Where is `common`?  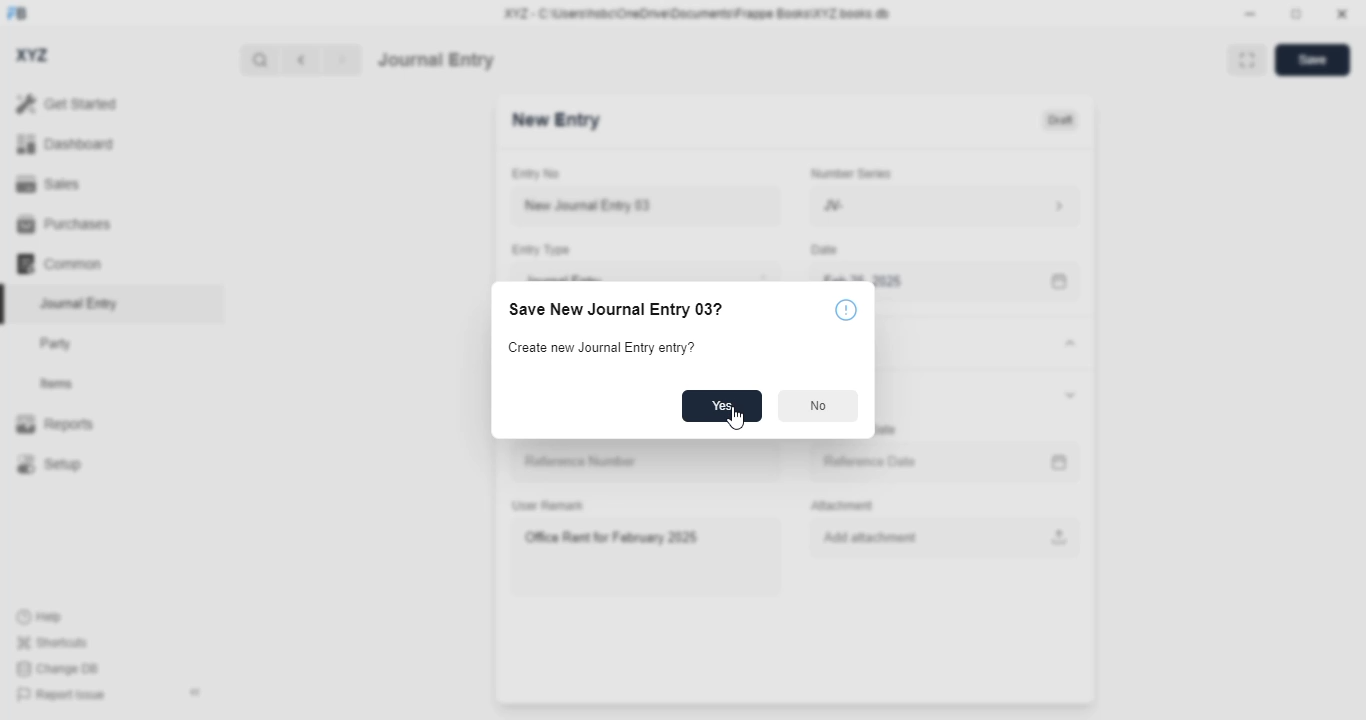
common is located at coordinates (59, 264).